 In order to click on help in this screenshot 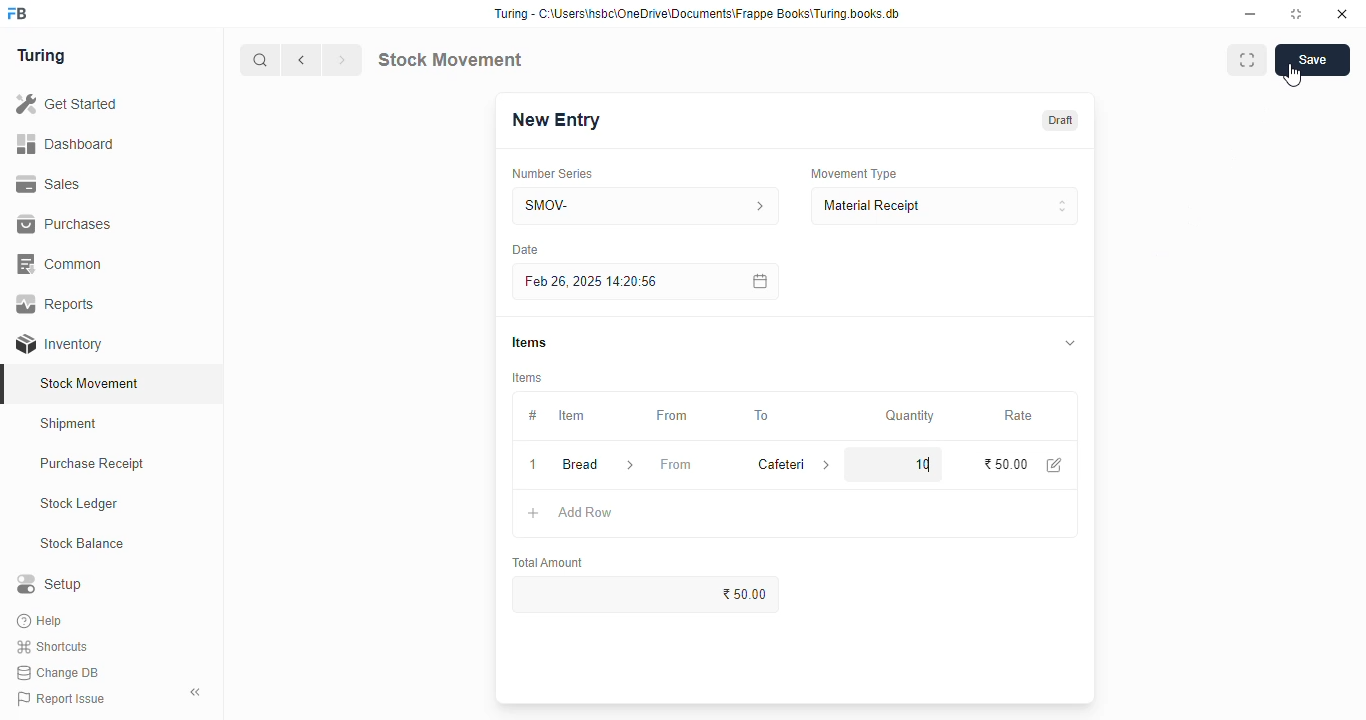, I will do `click(42, 621)`.